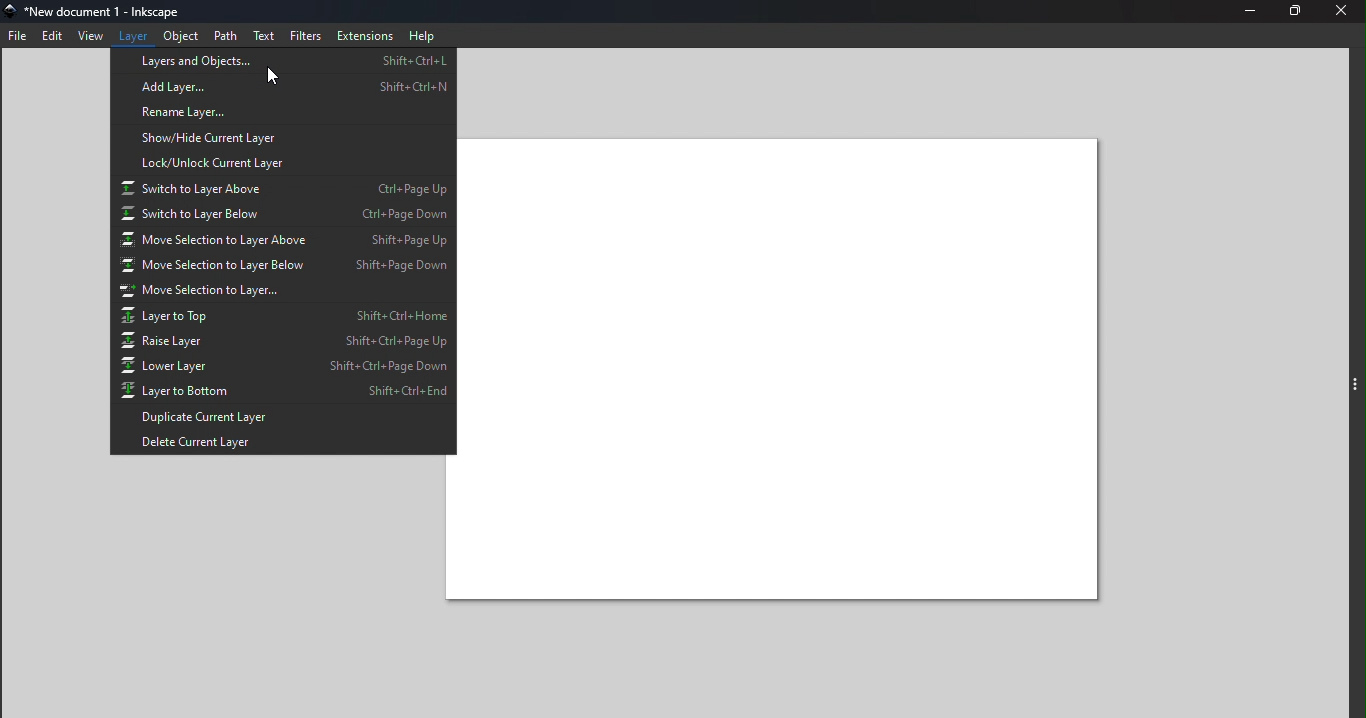  I want to click on Lower layer, so click(285, 368).